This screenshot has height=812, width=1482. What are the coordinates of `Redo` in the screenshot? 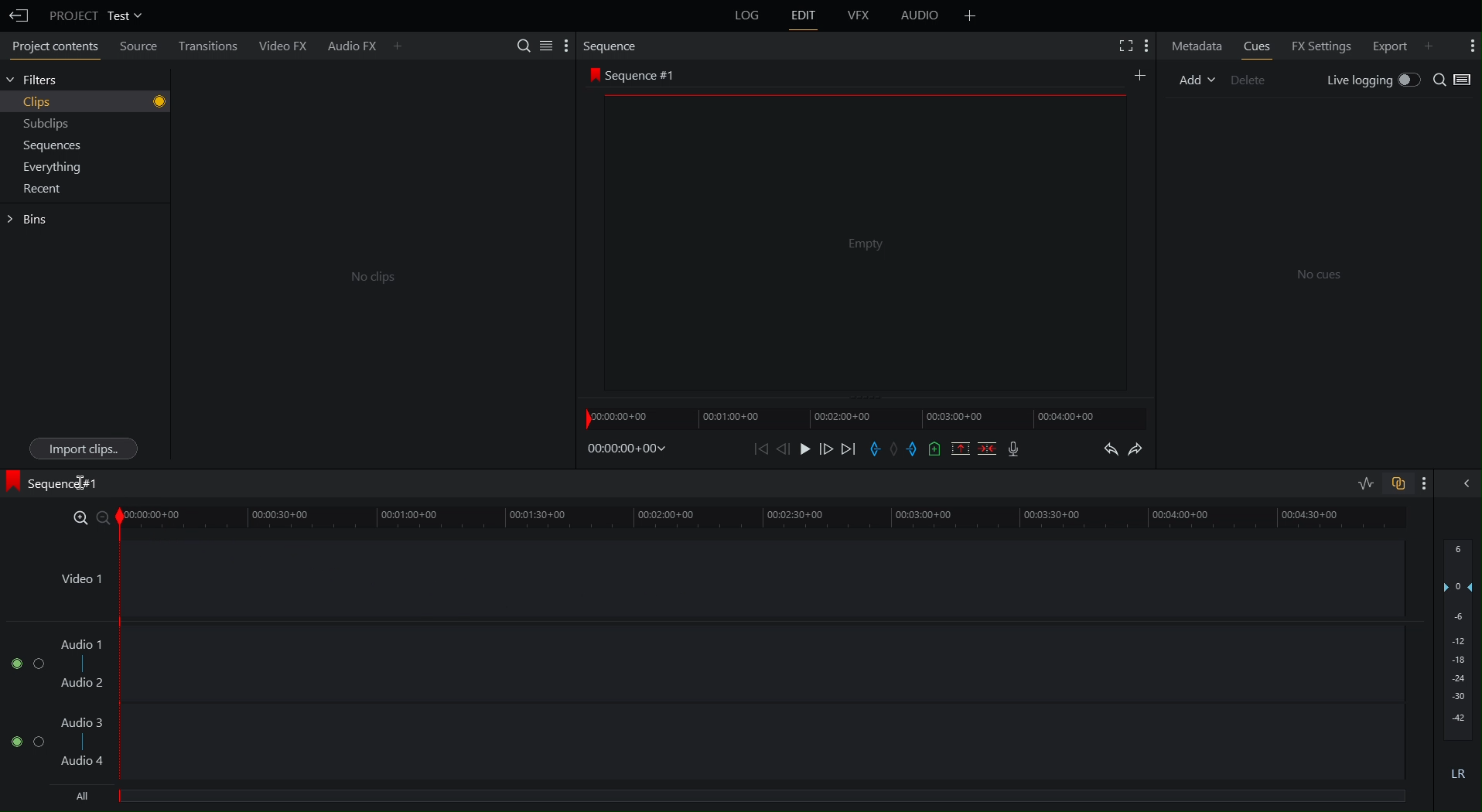 It's located at (1143, 448).